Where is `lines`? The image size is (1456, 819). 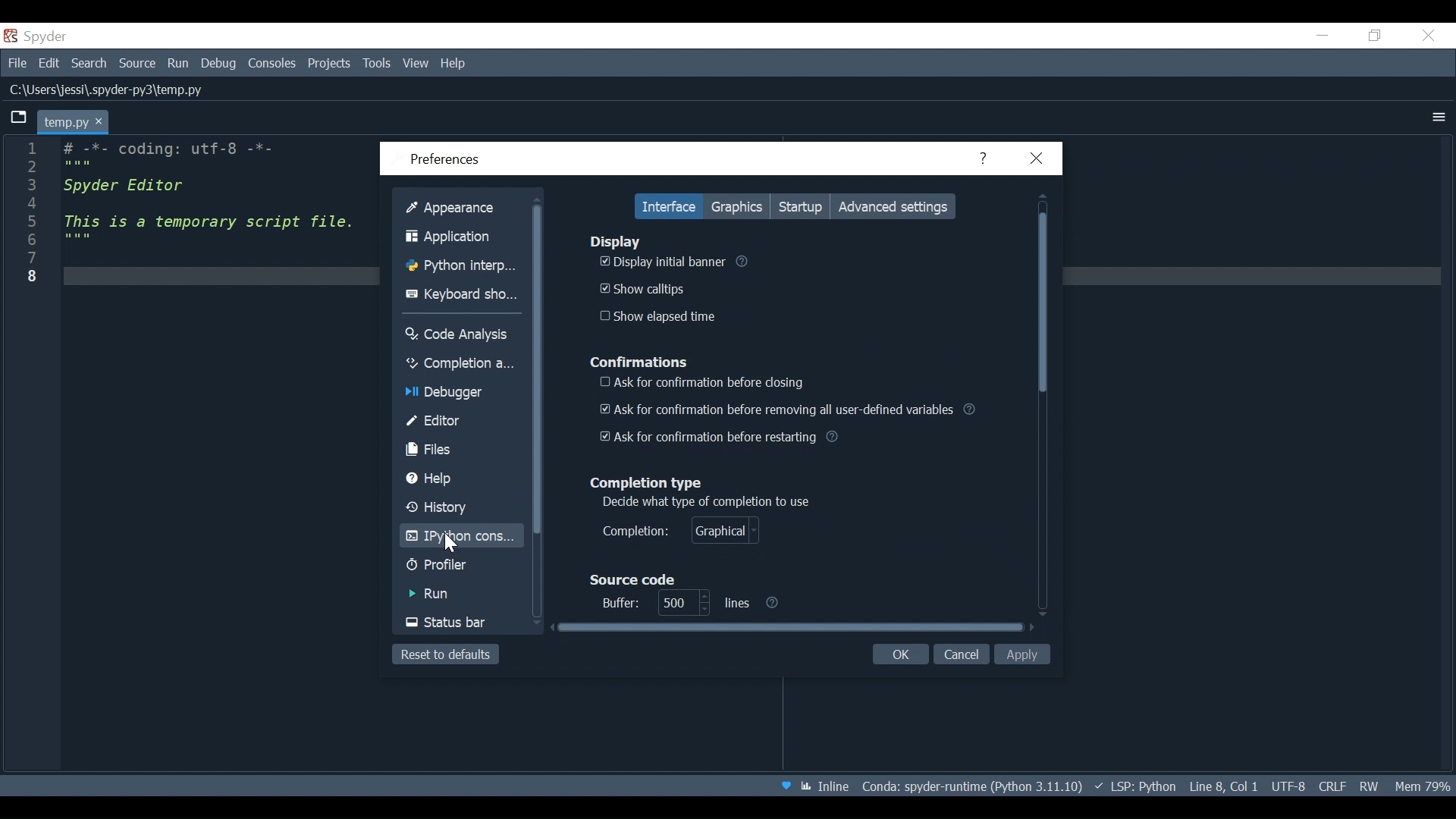
lines is located at coordinates (681, 603).